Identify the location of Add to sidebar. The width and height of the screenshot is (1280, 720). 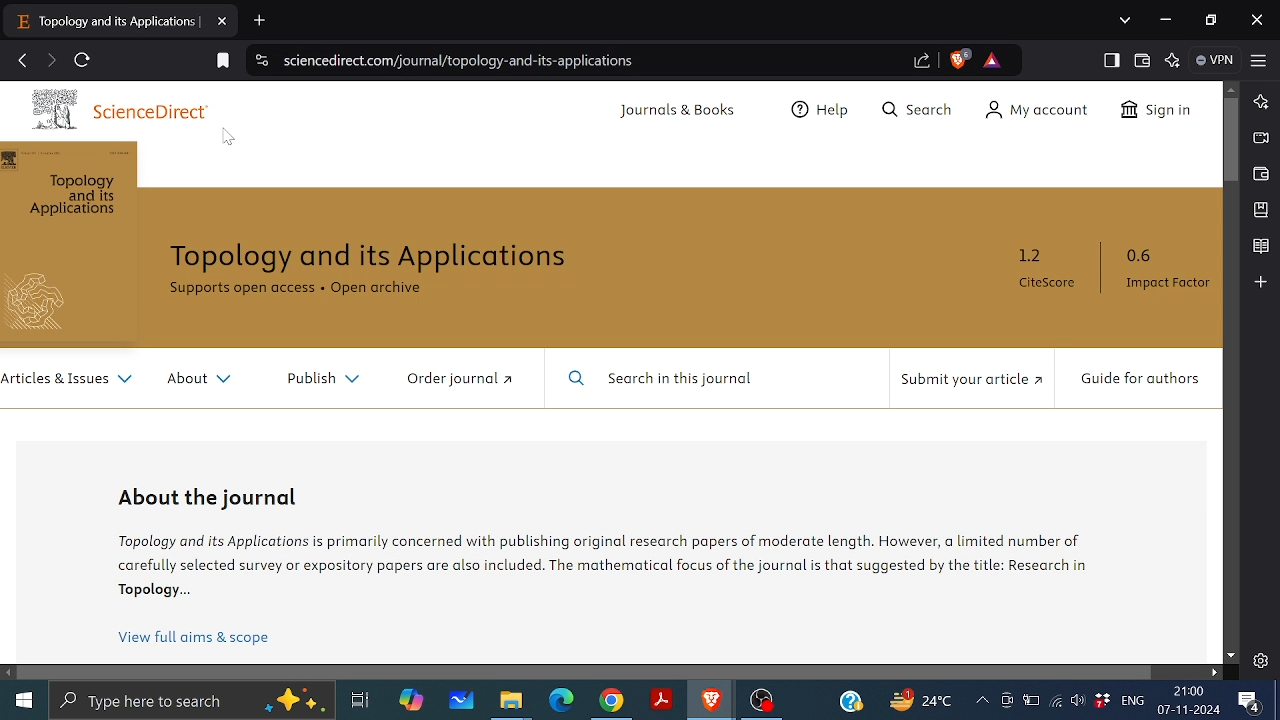
(1259, 282).